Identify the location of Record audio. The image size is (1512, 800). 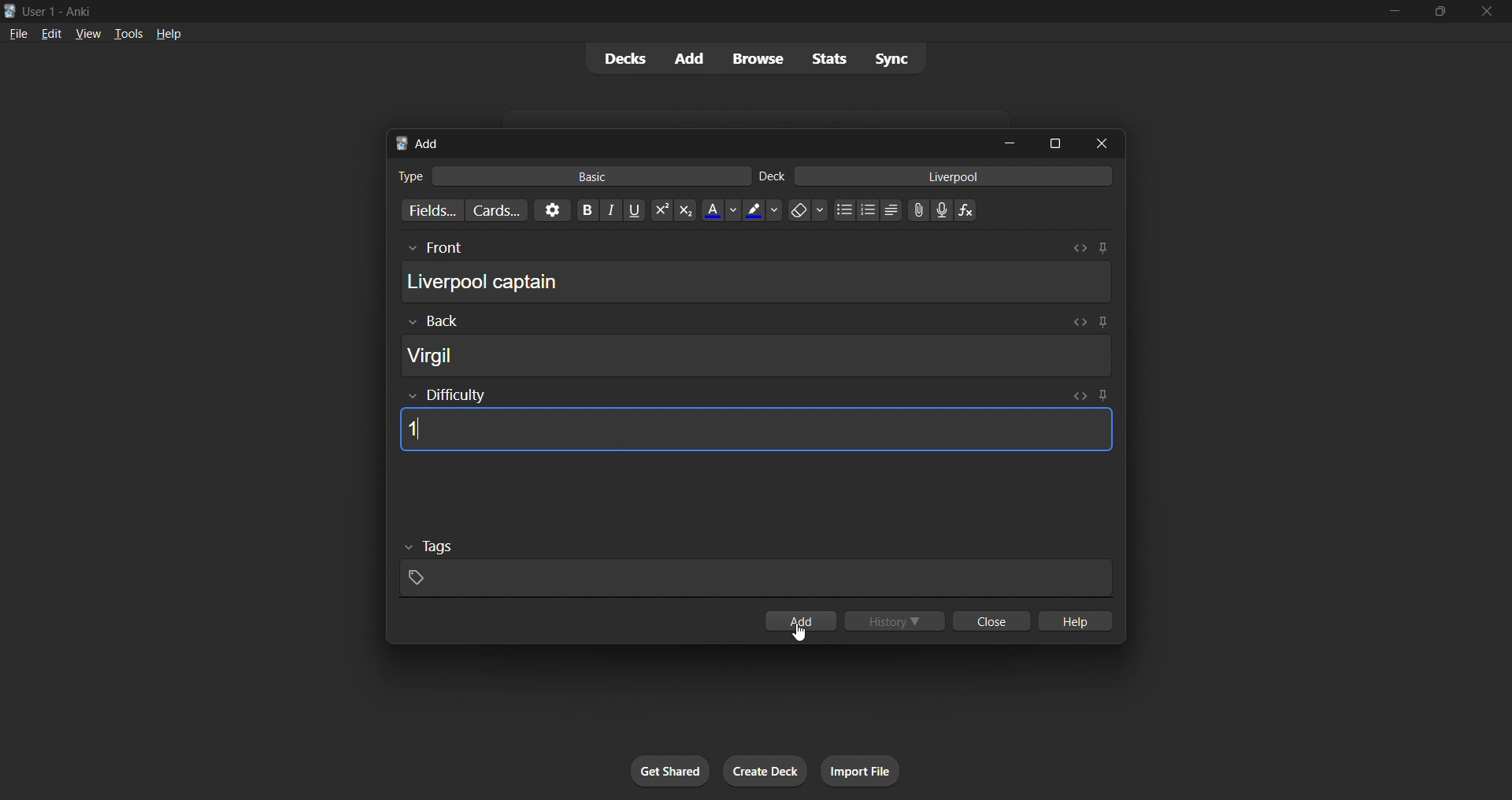
(942, 210).